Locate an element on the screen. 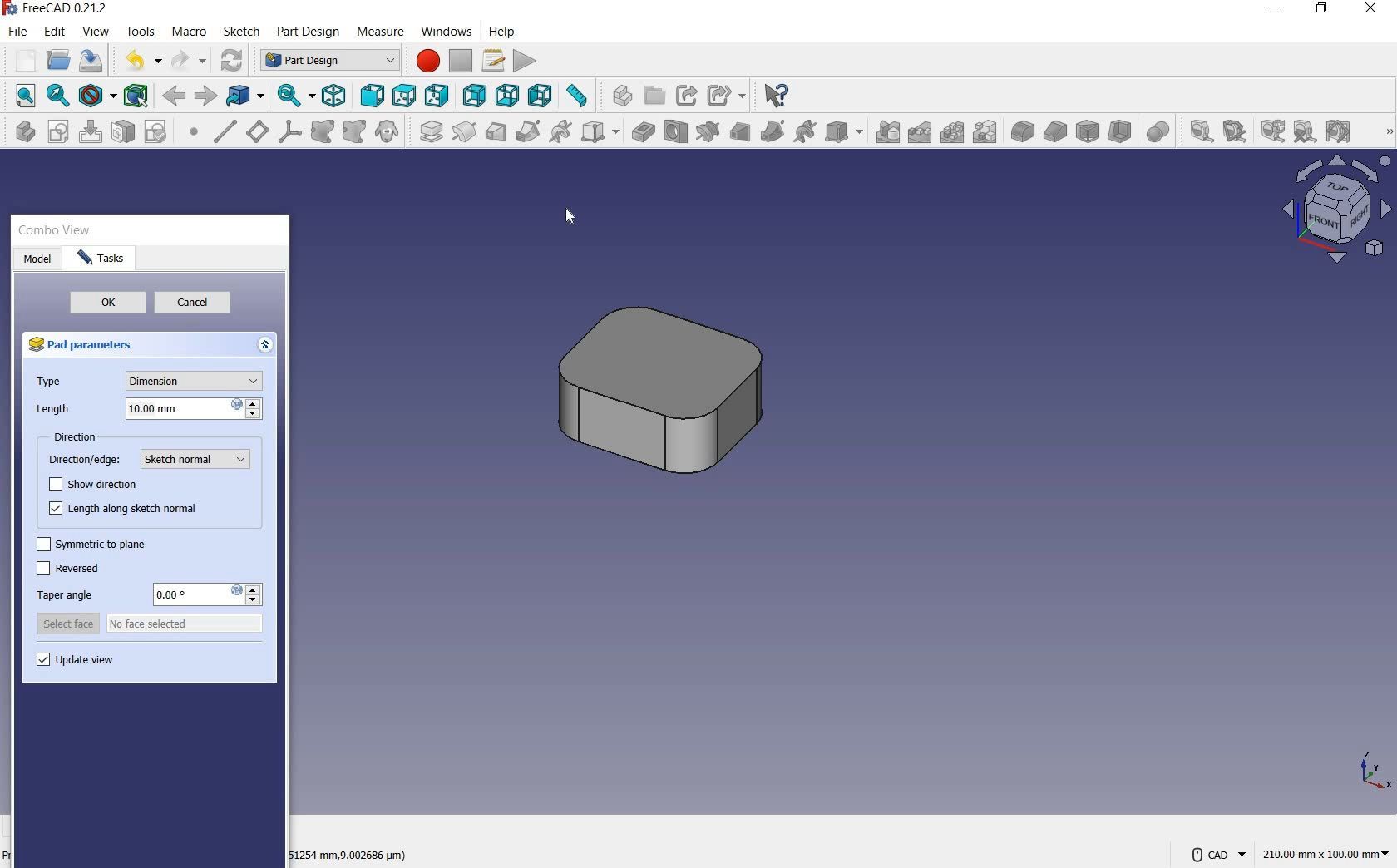 This screenshot has height=868, width=1397. pad is located at coordinates (428, 132).